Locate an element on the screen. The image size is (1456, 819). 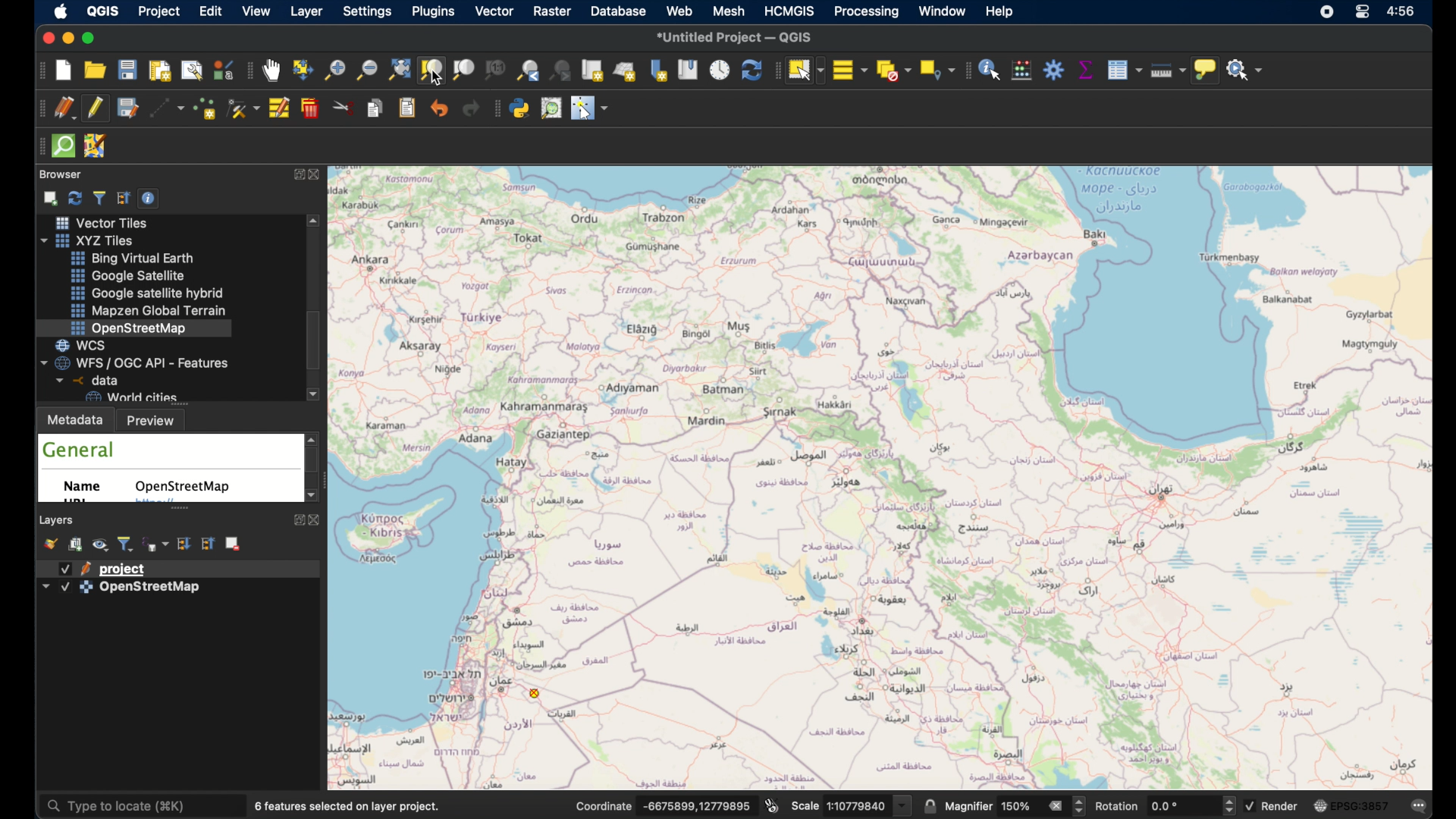
show attribute table is located at coordinates (1125, 70).